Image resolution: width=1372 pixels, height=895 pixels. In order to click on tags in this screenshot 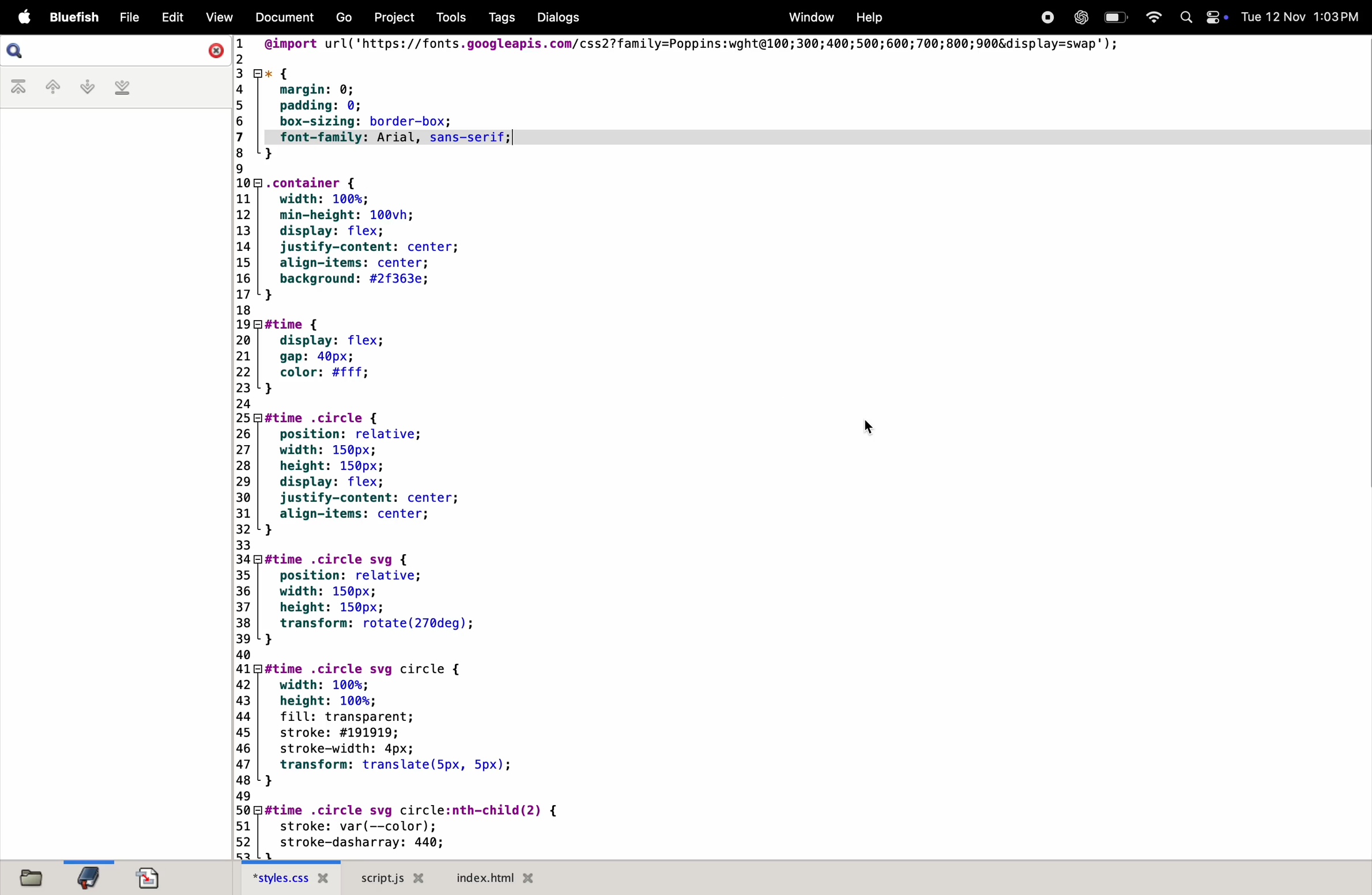, I will do `click(497, 18)`.